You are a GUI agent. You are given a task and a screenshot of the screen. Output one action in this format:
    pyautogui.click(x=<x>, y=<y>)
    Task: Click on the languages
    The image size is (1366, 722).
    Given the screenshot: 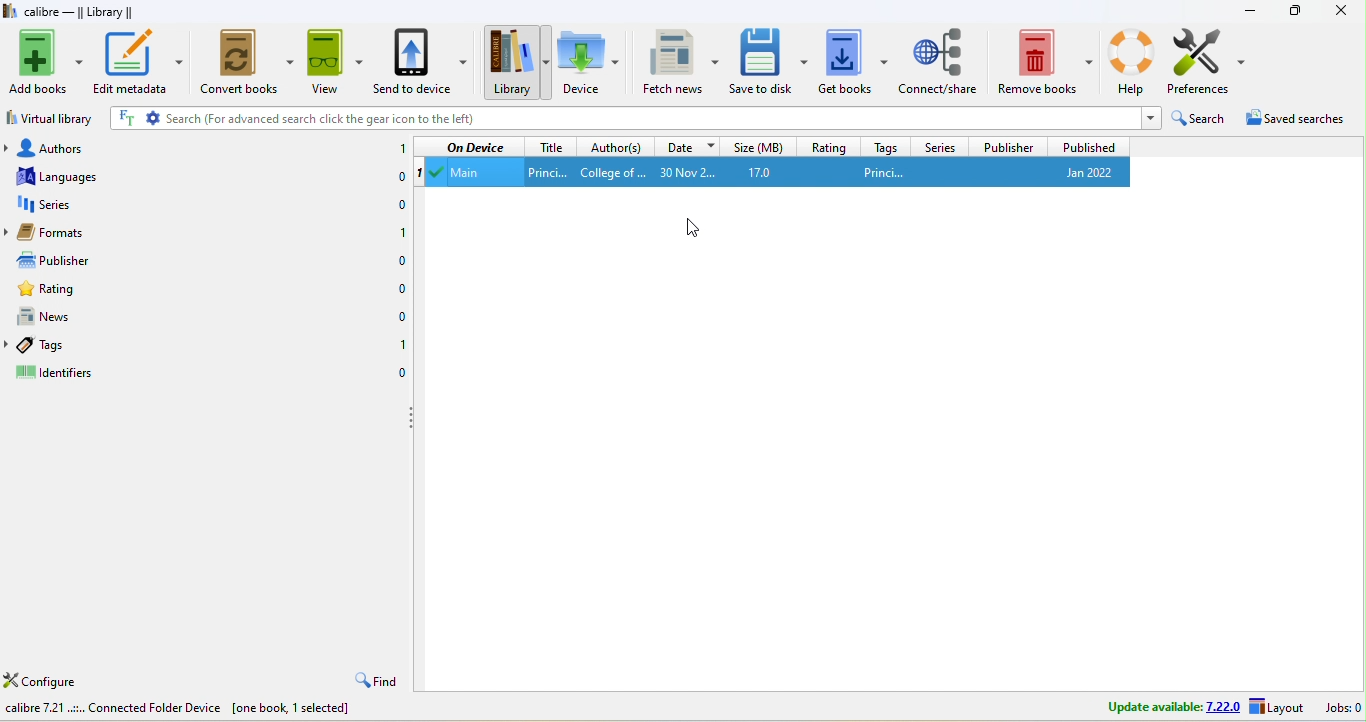 What is the action you would take?
    pyautogui.click(x=56, y=175)
    